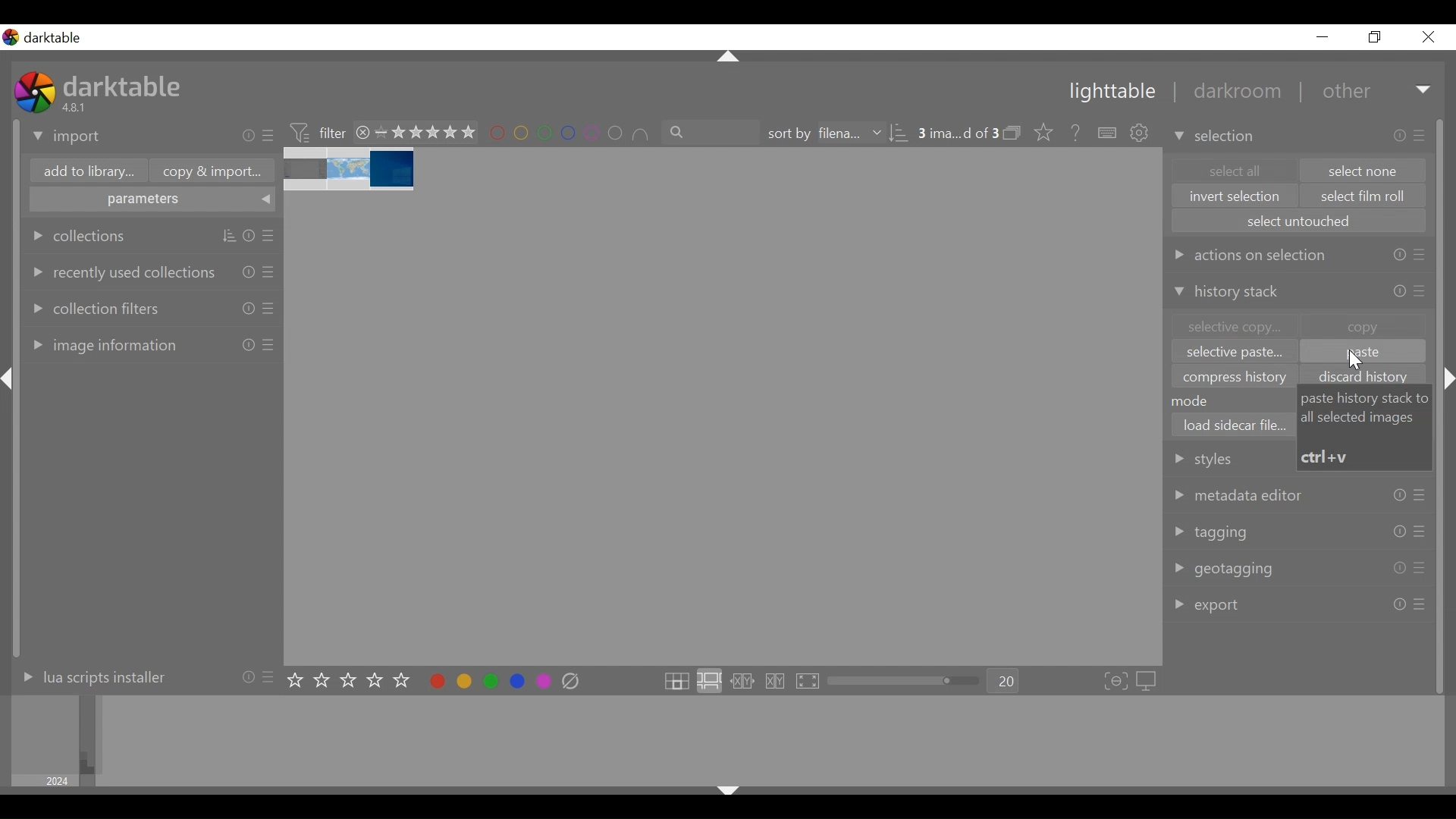 This screenshot has width=1456, height=819. What do you see at coordinates (1225, 458) in the screenshot?
I see `style` at bounding box center [1225, 458].